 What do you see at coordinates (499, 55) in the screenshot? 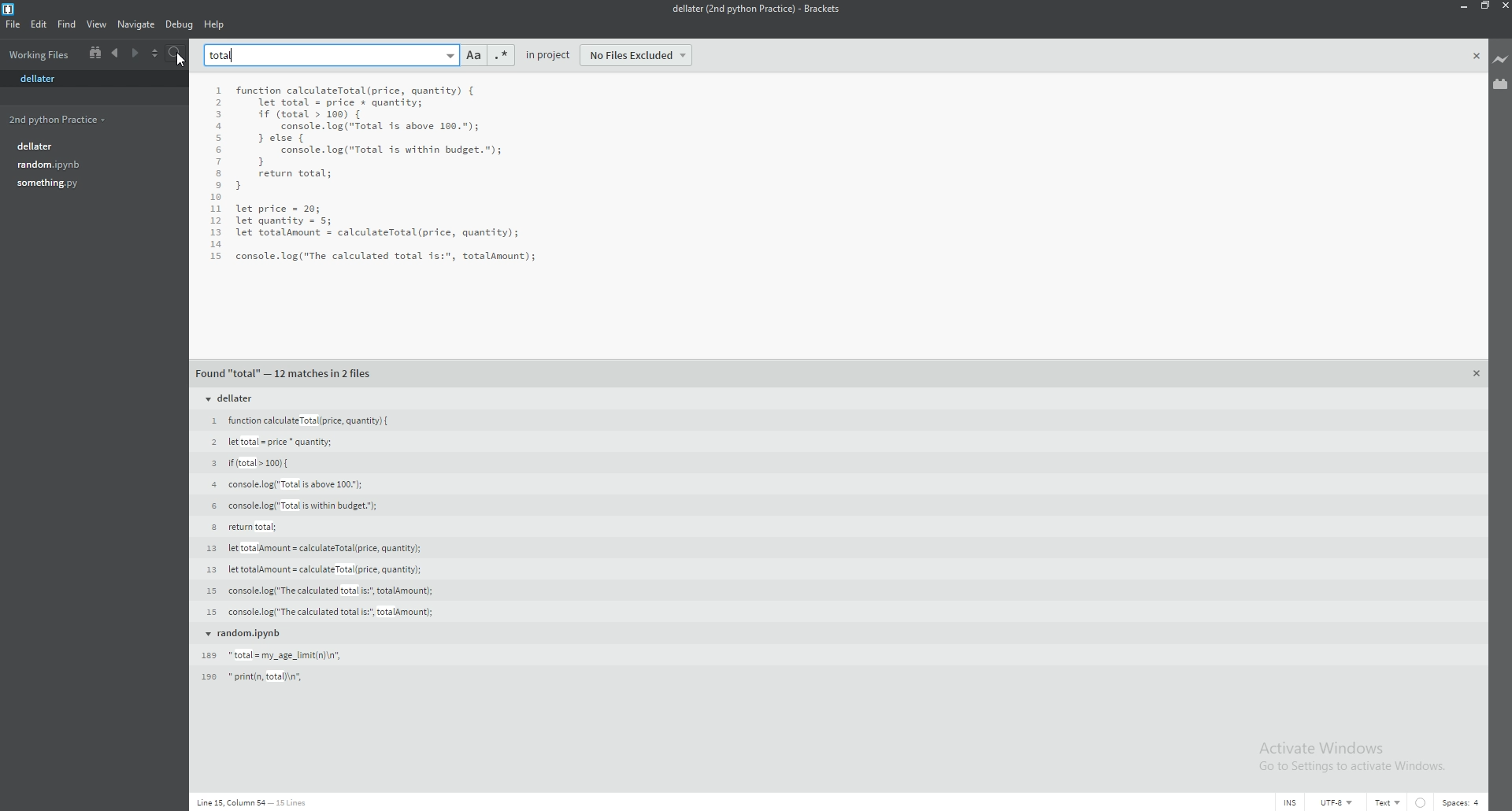
I see `regular expression` at bounding box center [499, 55].